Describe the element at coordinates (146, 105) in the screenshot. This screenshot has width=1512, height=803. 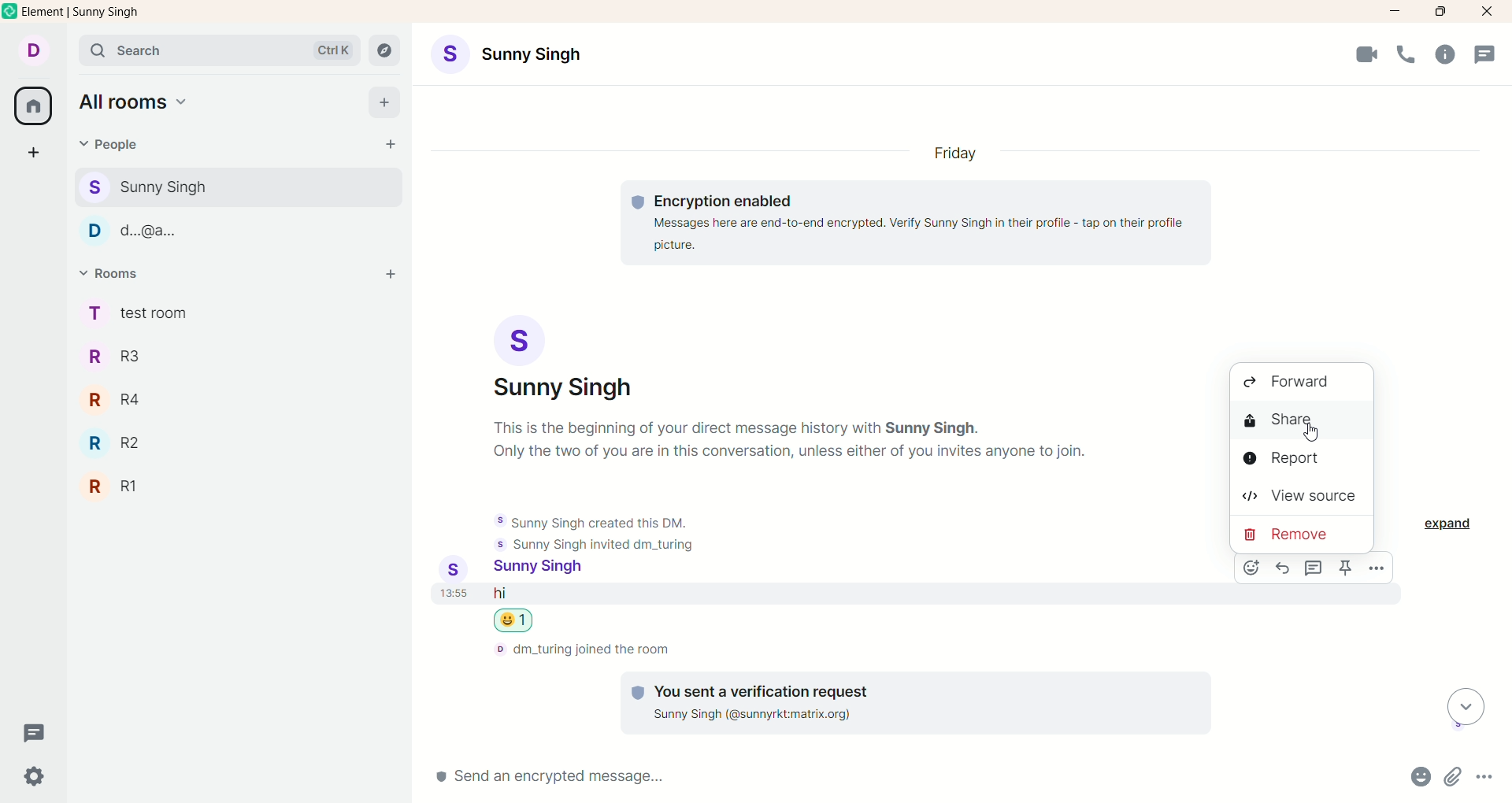
I see `all rooms` at that location.